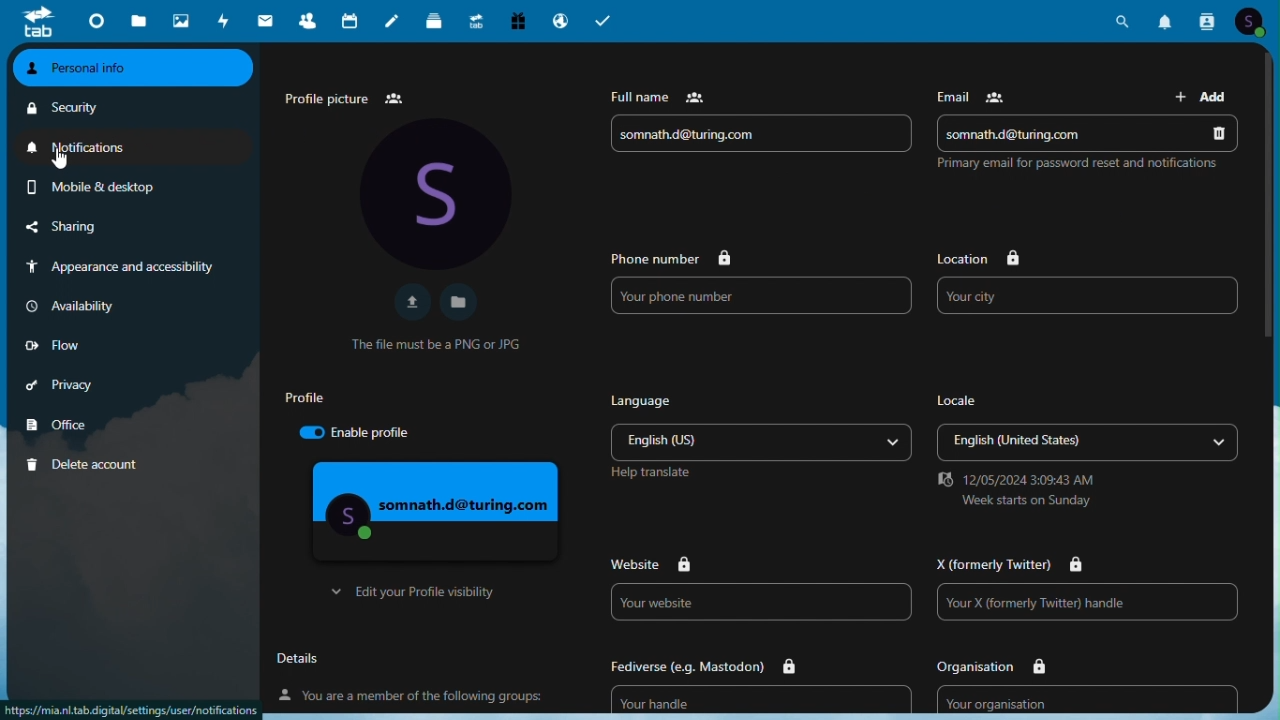  Describe the element at coordinates (1122, 20) in the screenshot. I see `Search` at that location.